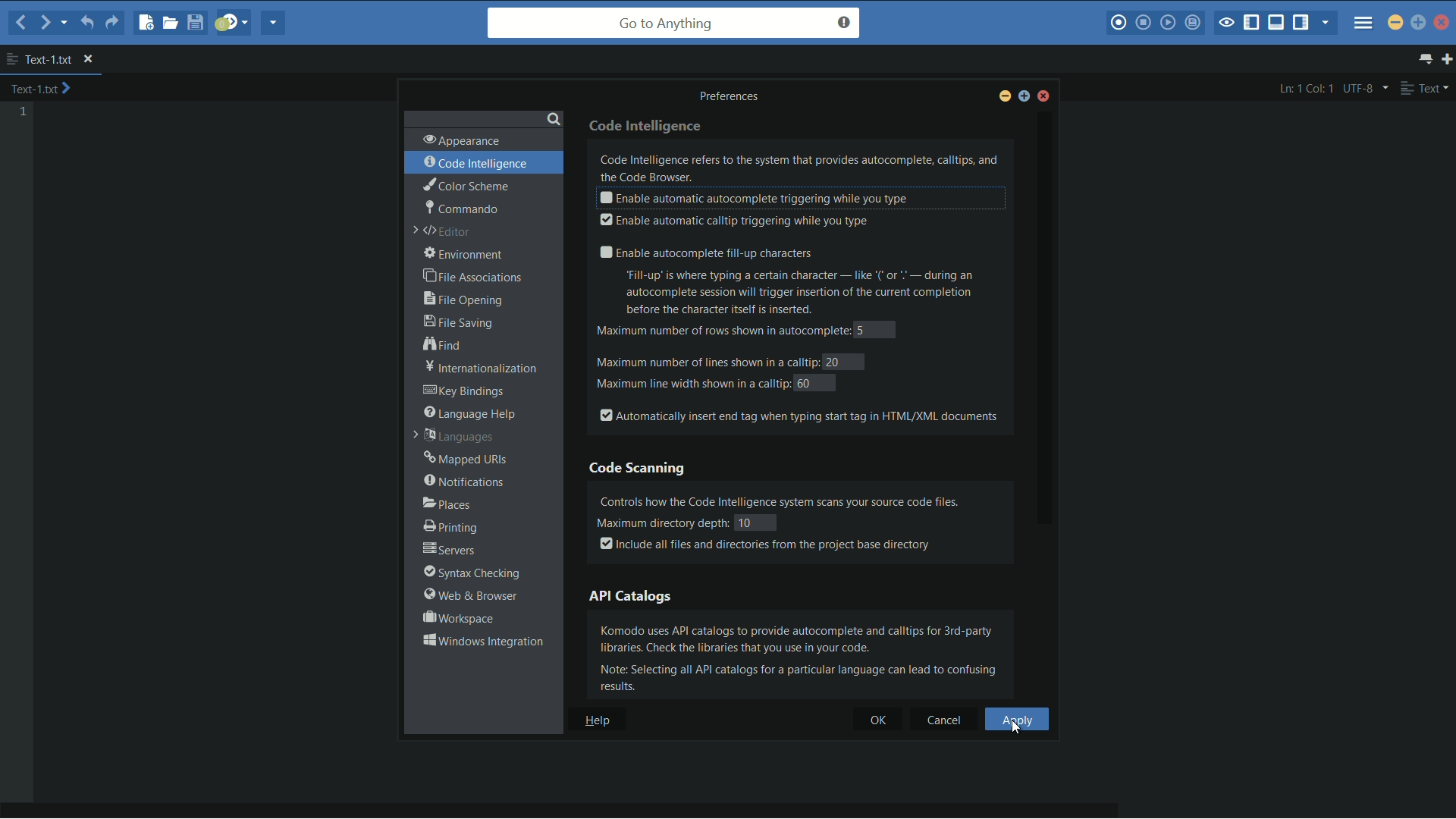 This screenshot has width=1456, height=819. Describe the element at coordinates (466, 391) in the screenshot. I see `key bindings` at that location.